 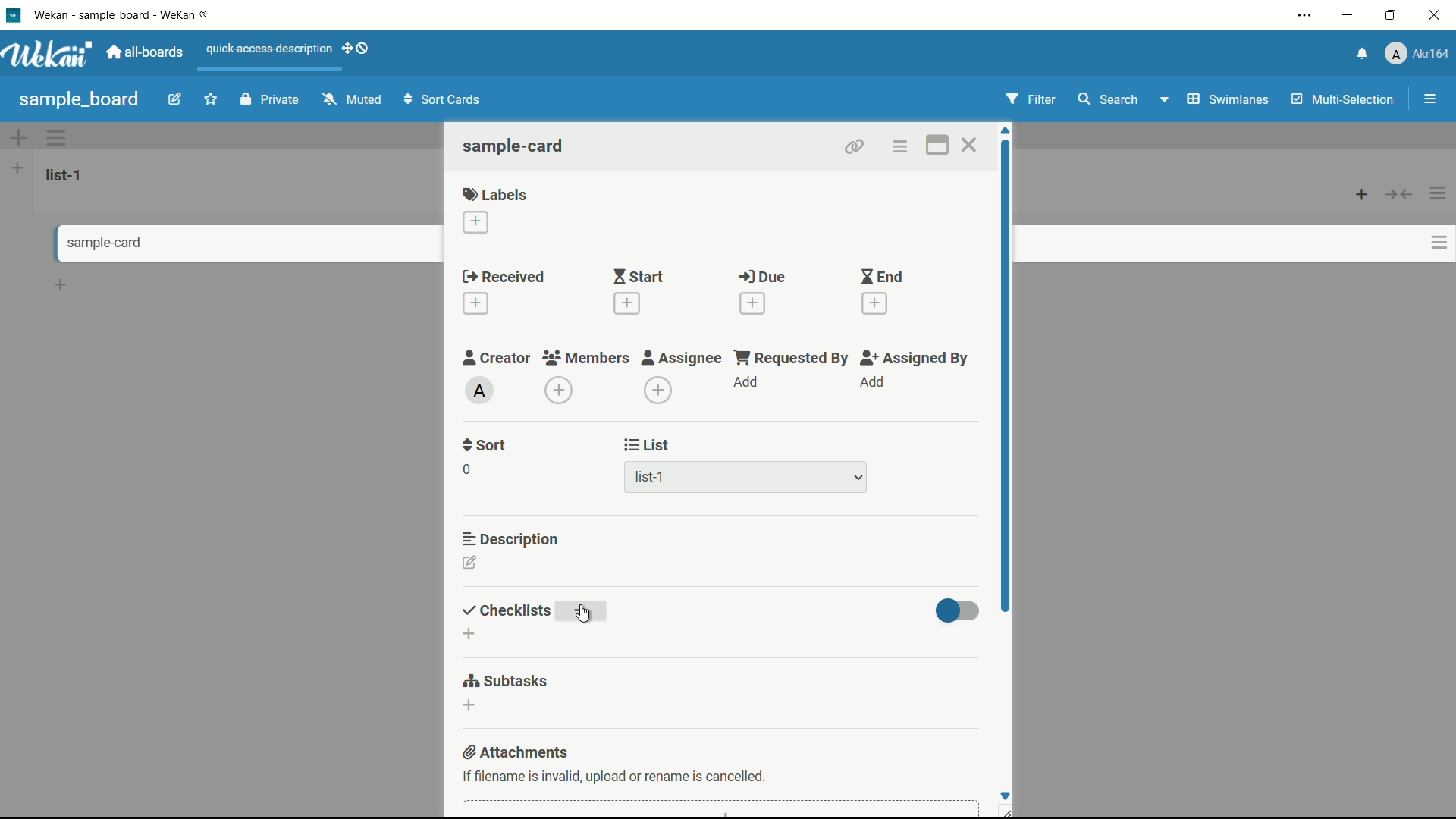 What do you see at coordinates (1439, 193) in the screenshot?
I see `list actions` at bounding box center [1439, 193].